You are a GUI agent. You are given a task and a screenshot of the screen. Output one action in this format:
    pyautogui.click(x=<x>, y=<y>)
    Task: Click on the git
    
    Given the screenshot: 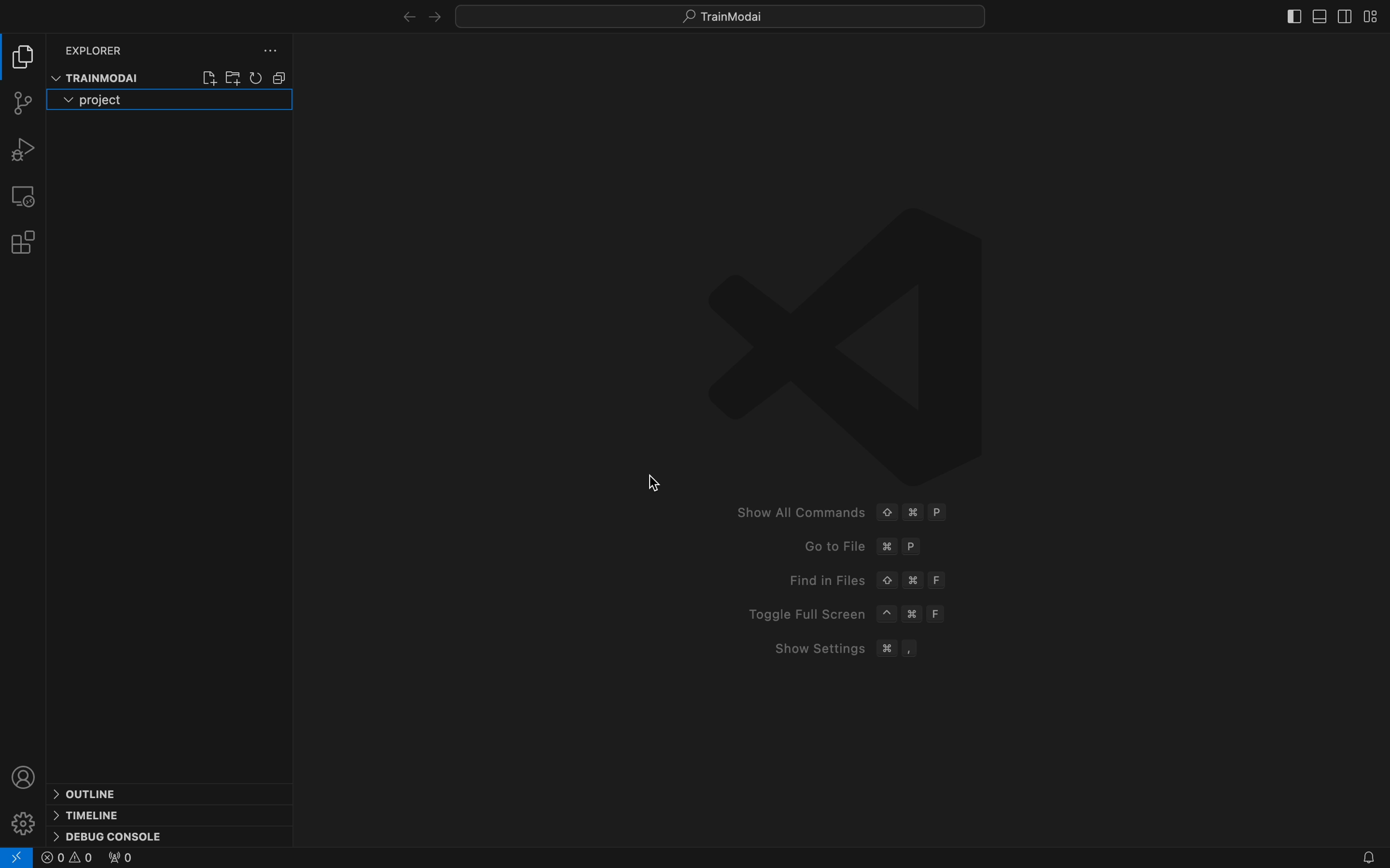 What is the action you would take?
    pyautogui.click(x=21, y=101)
    